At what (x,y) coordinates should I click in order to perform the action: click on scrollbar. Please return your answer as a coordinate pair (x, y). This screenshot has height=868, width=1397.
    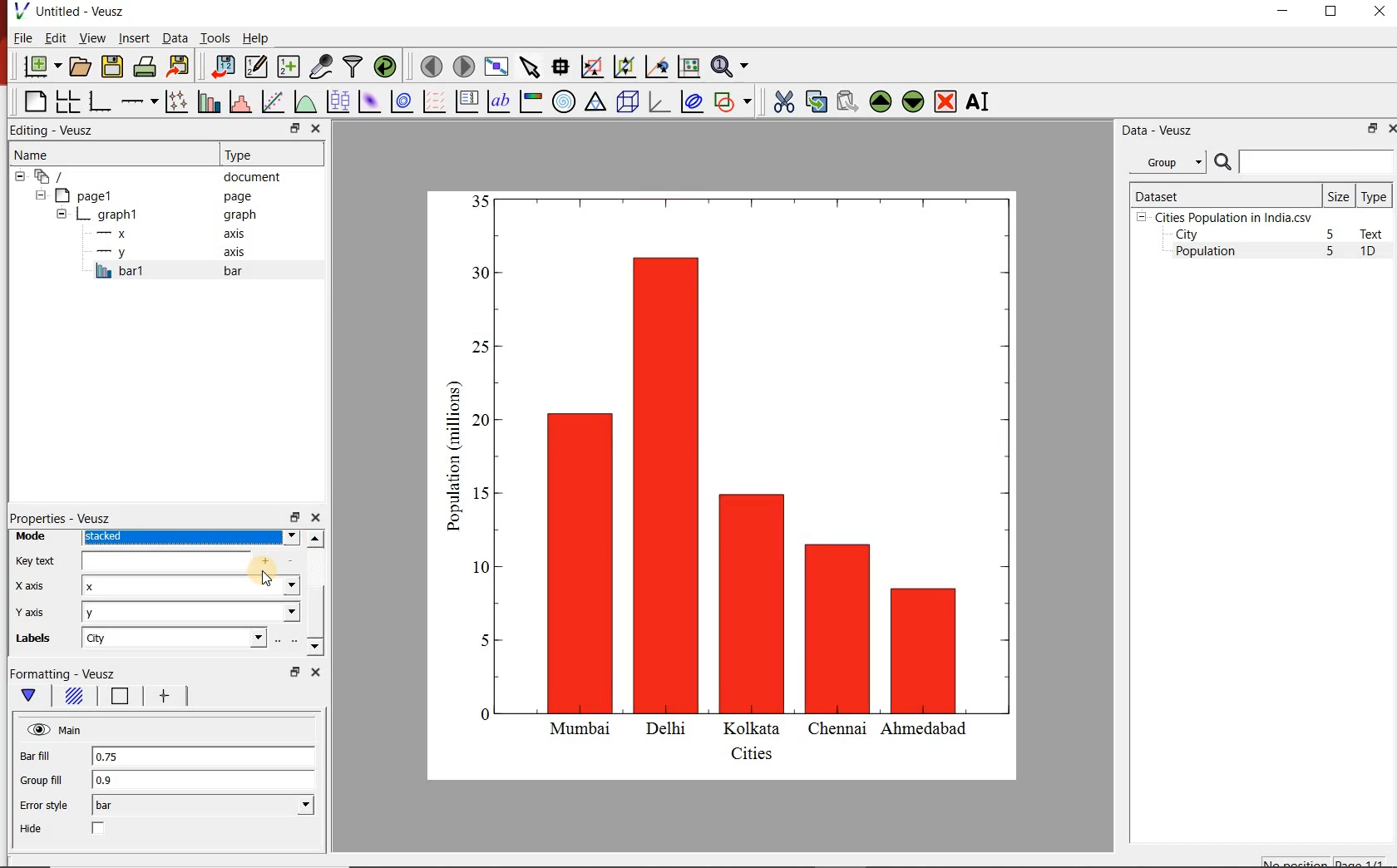
    Looking at the image, I should click on (315, 594).